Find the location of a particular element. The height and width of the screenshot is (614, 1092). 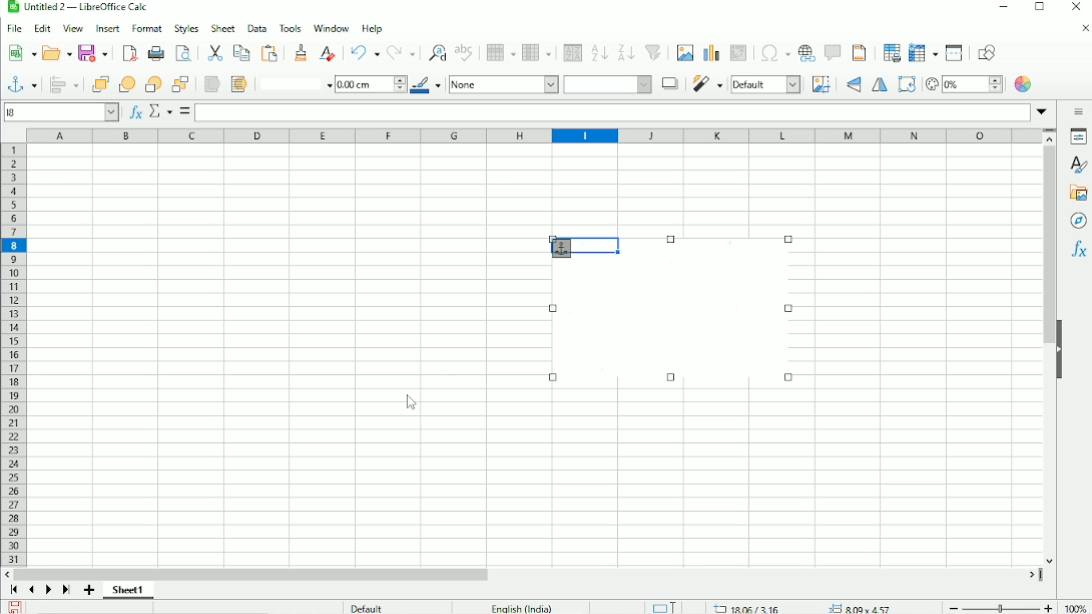

Sheet is located at coordinates (222, 28).